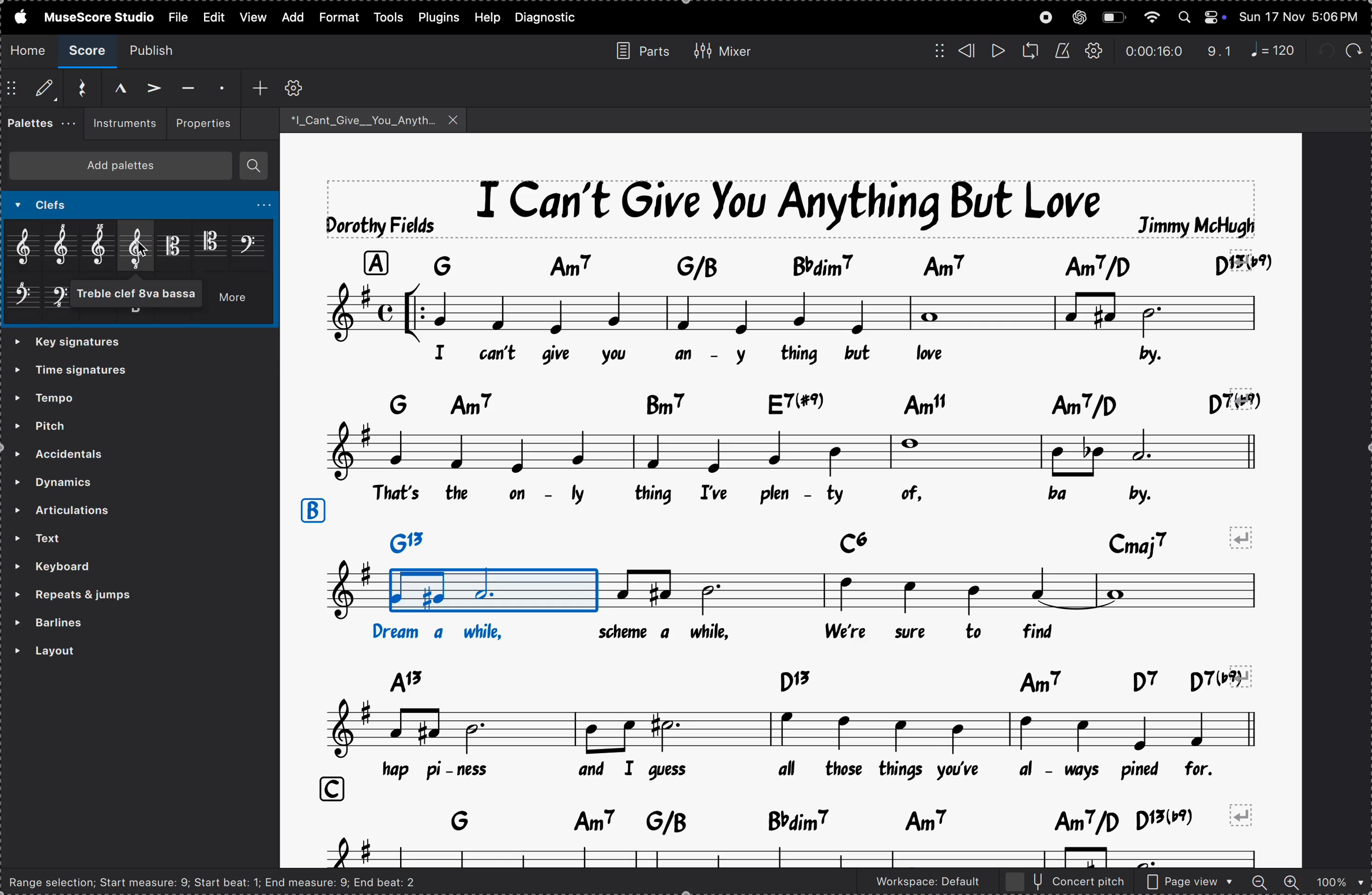  I want to click on notes, so click(798, 854).